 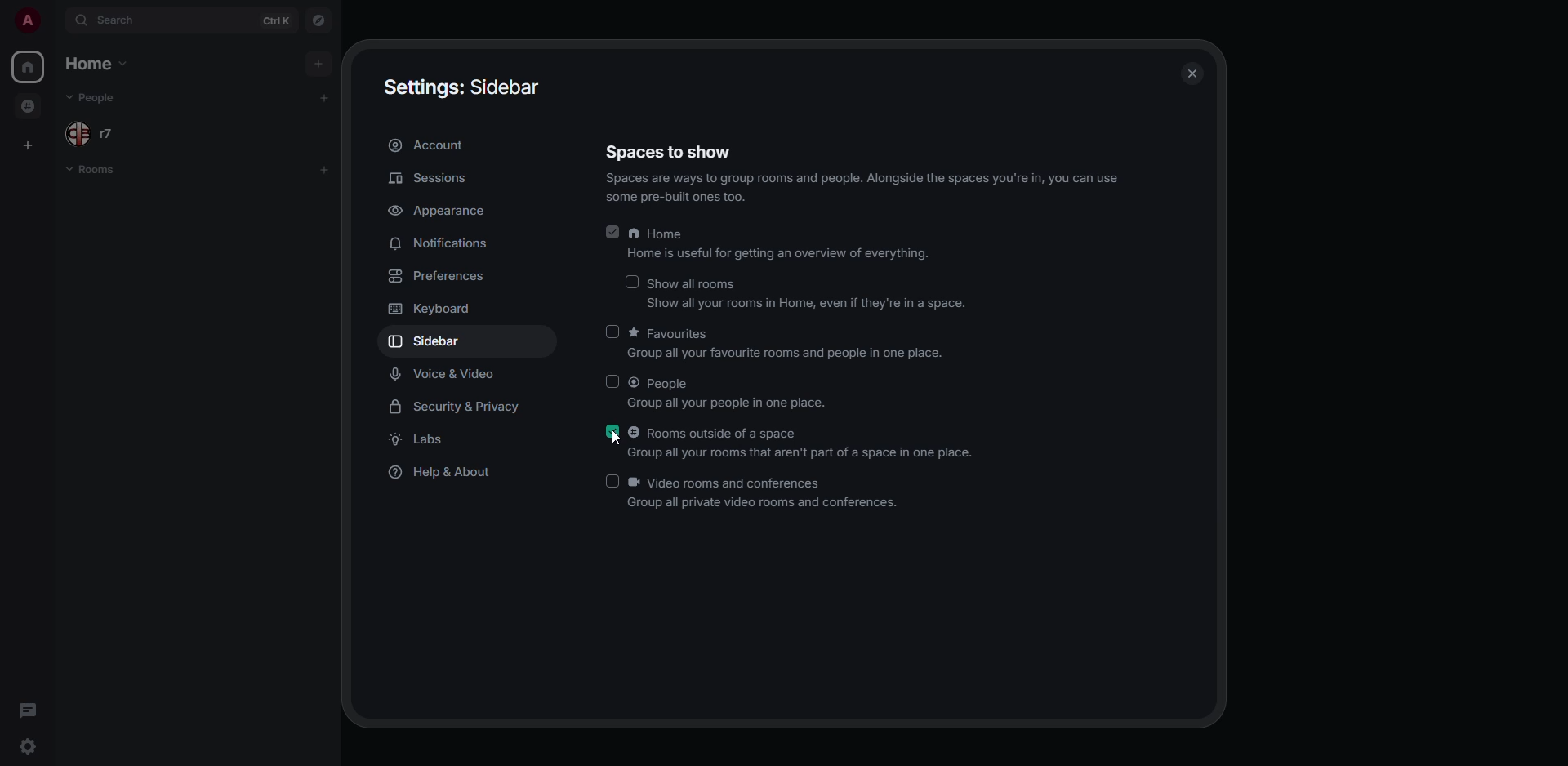 What do you see at coordinates (808, 295) in the screenshot?
I see `Show all rooms Show all your rooms in Home, even if they're in a space.` at bounding box center [808, 295].